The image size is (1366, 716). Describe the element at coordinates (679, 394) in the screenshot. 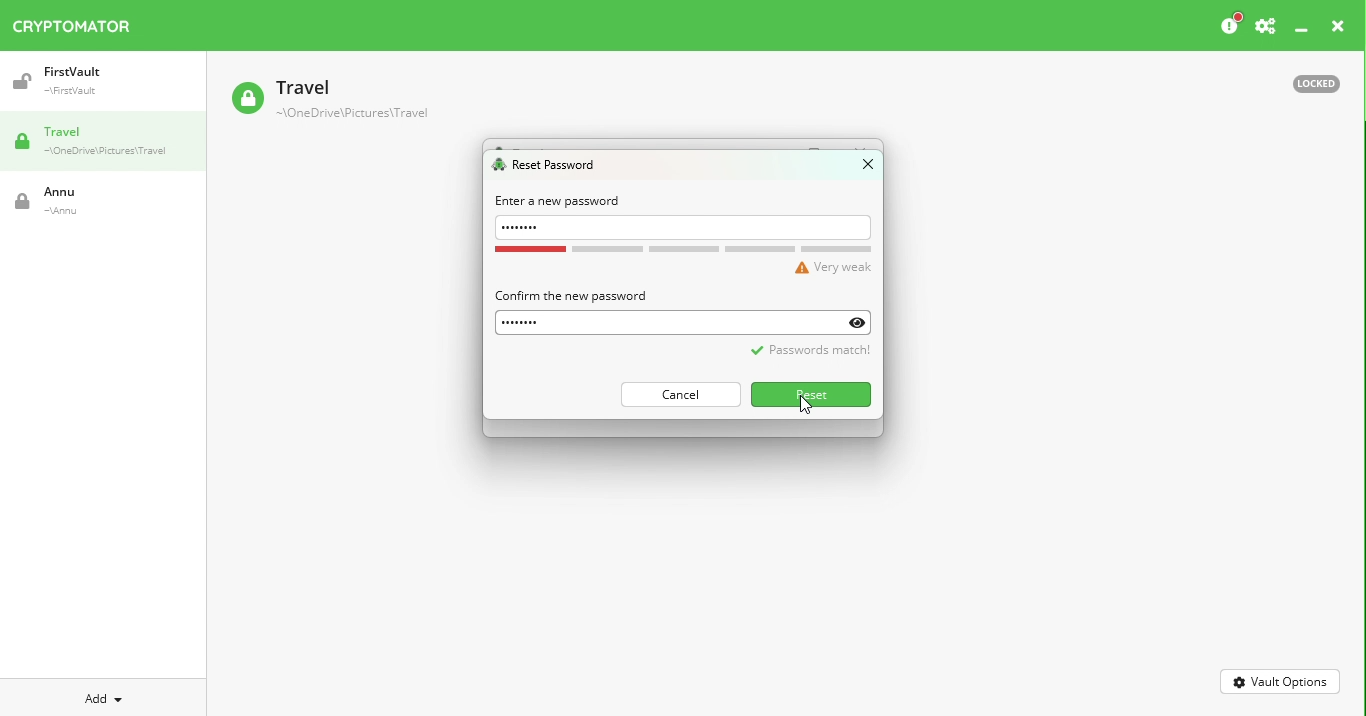

I see `Cancel` at that location.